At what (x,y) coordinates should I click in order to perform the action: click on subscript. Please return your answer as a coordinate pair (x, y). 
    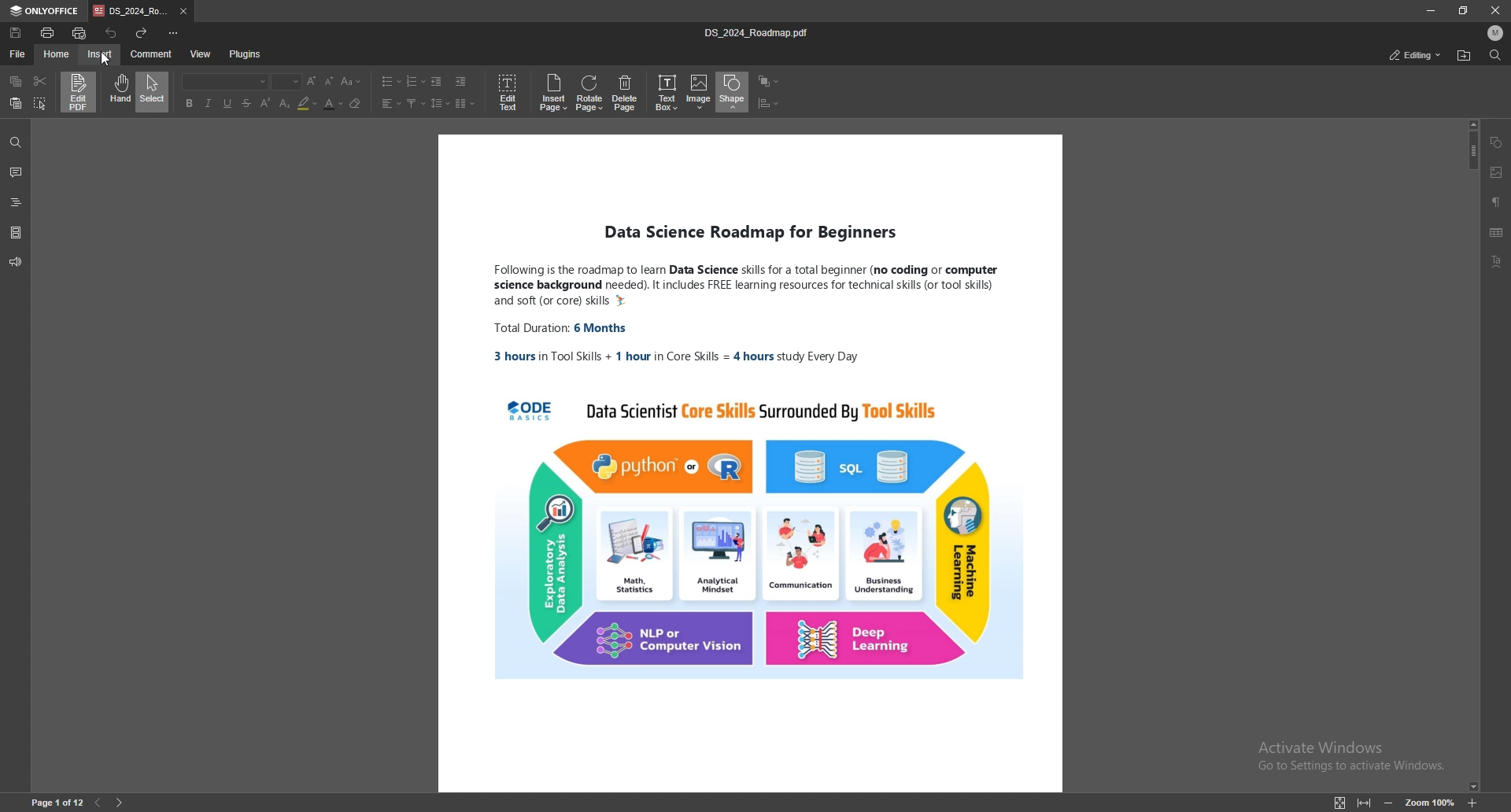
    Looking at the image, I should click on (286, 103).